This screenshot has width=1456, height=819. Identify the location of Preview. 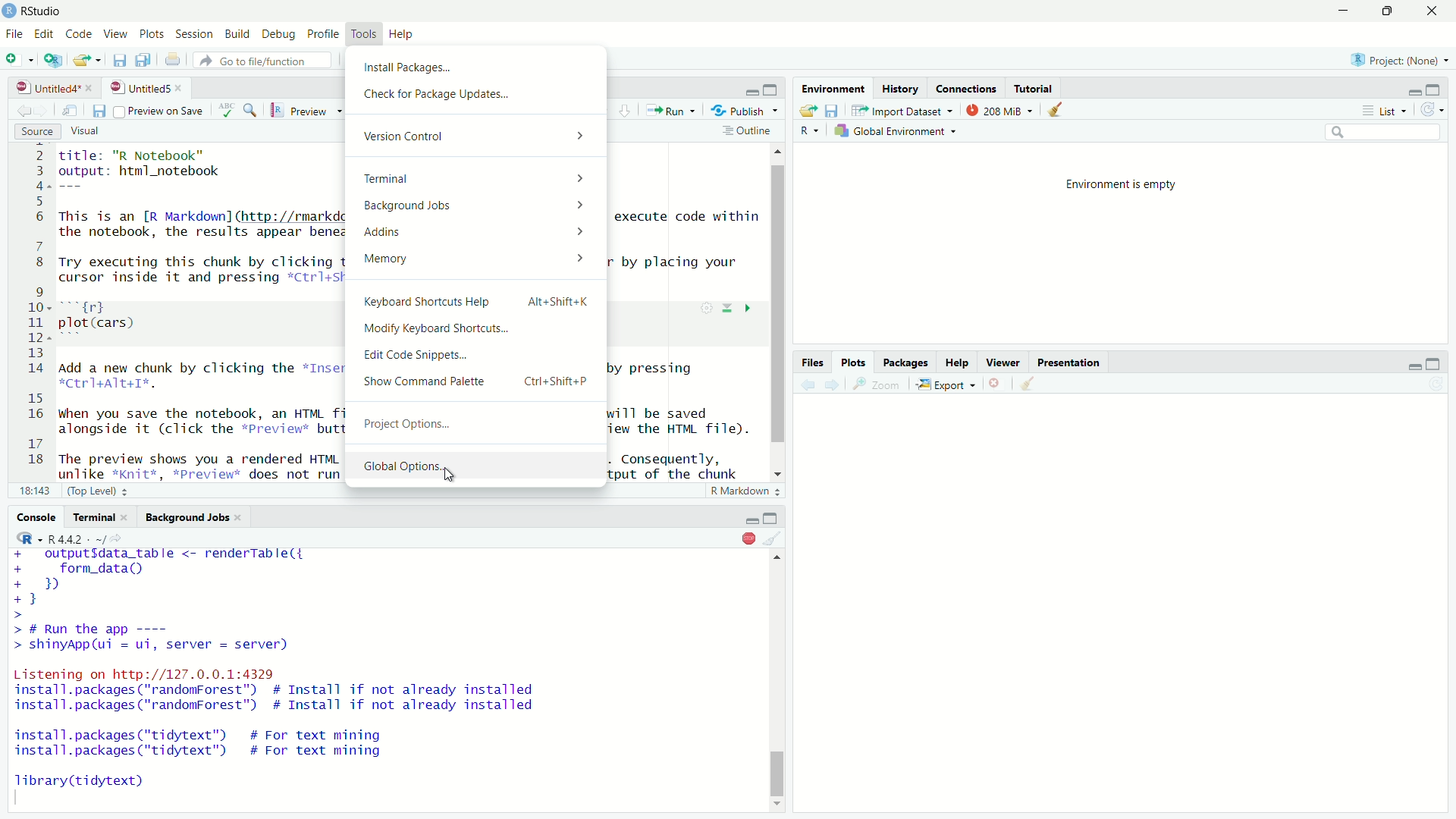
(307, 111).